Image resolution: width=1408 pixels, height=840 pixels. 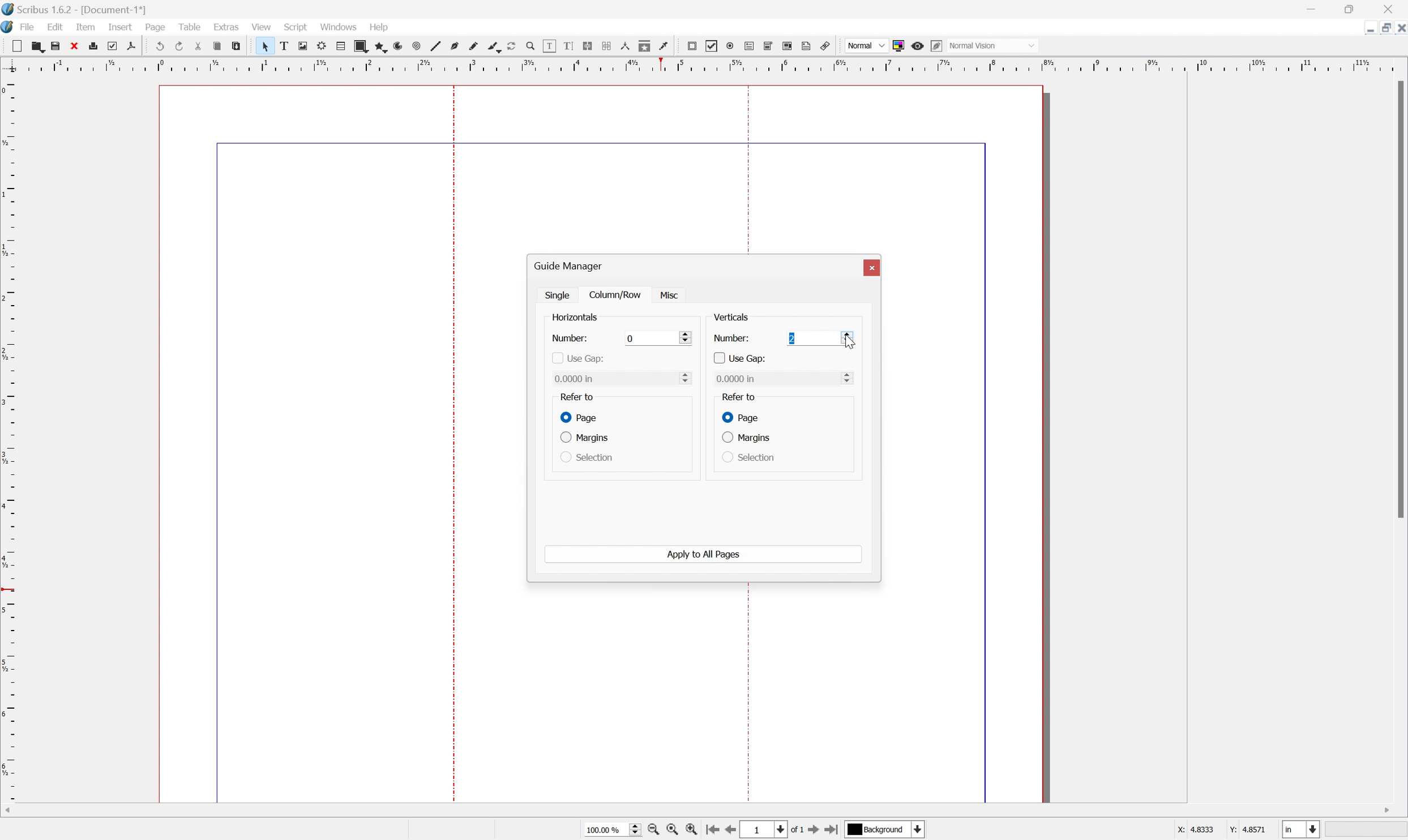 What do you see at coordinates (938, 45) in the screenshot?
I see `edit in preview mode` at bounding box center [938, 45].